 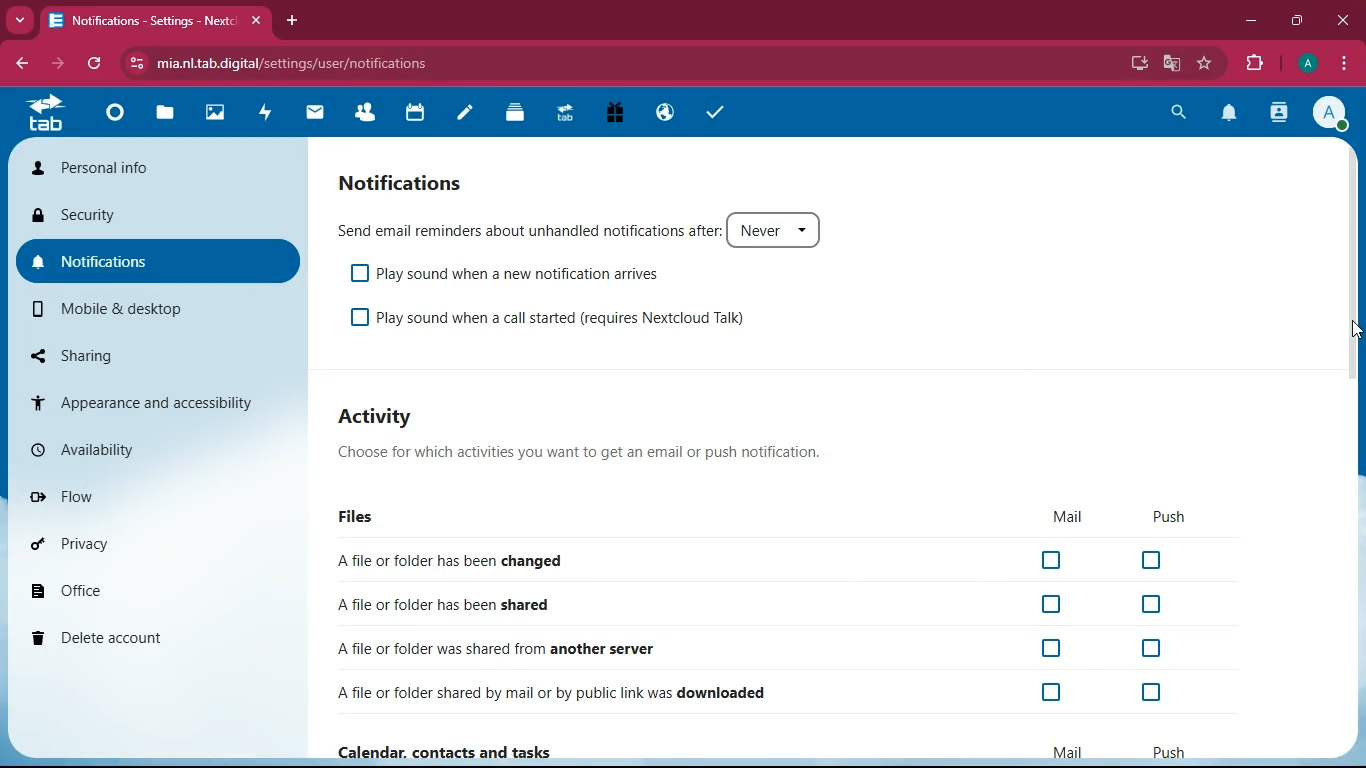 What do you see at coordinates (161, 309) in the screenshot?
I see `mobile & desktop` at bounding box center [161, 309].